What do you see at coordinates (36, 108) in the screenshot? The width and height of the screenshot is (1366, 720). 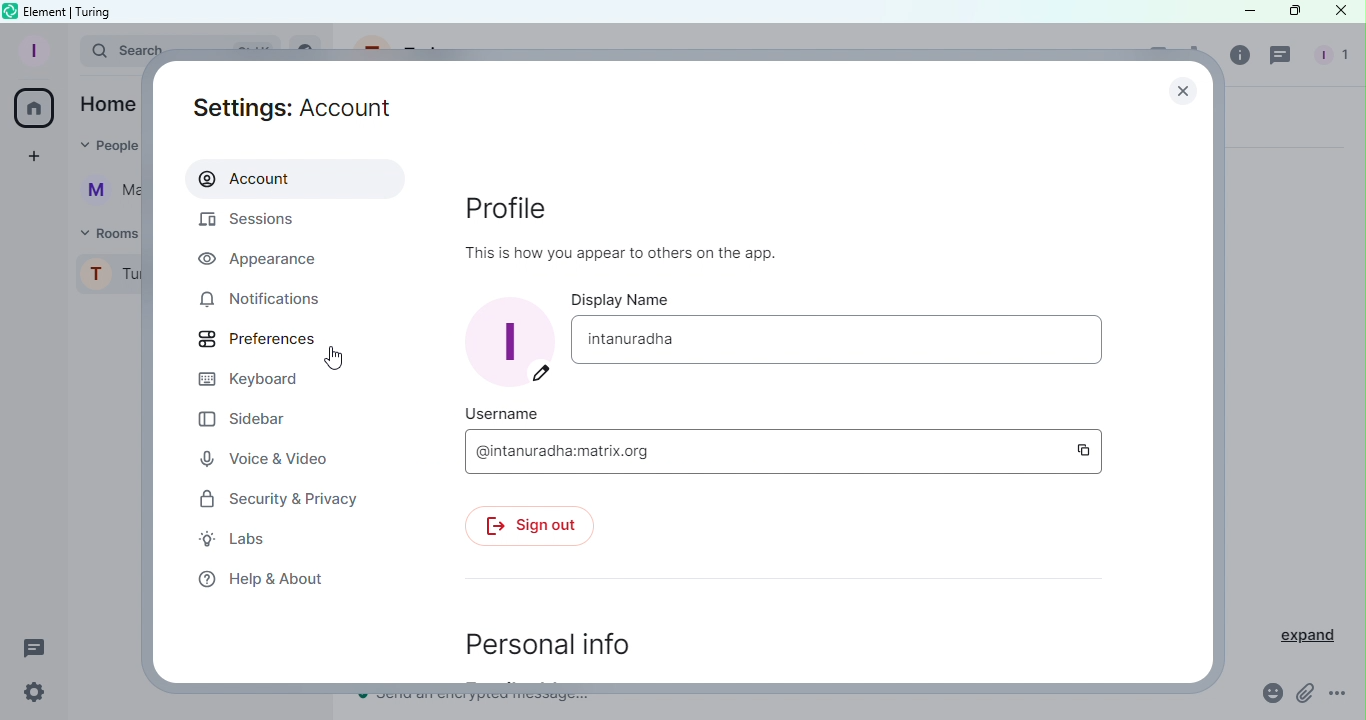 I see `Home` at bounding box center [36, 108].